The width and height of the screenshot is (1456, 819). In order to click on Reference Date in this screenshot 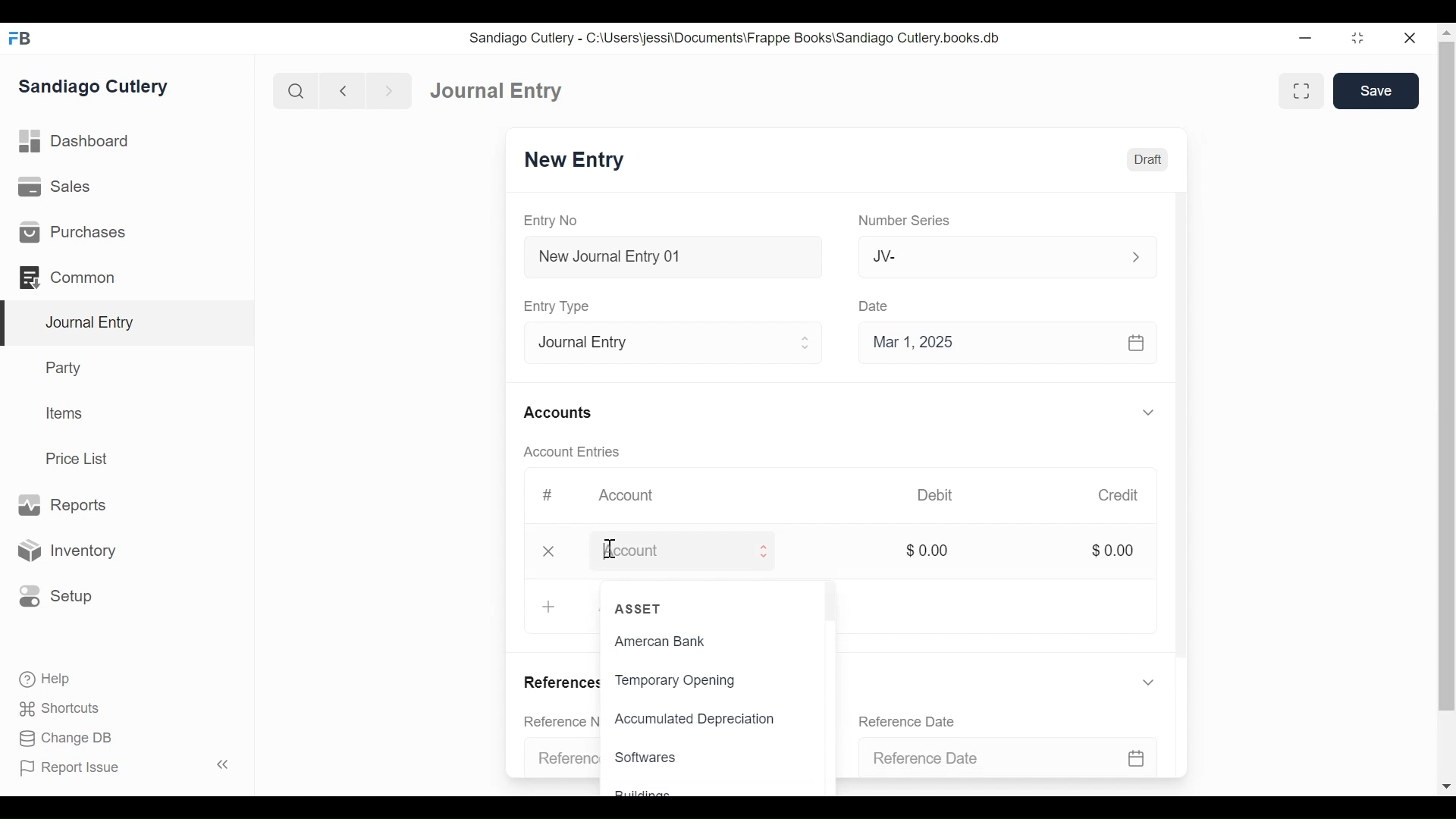, I will do `click(918, 720)`.